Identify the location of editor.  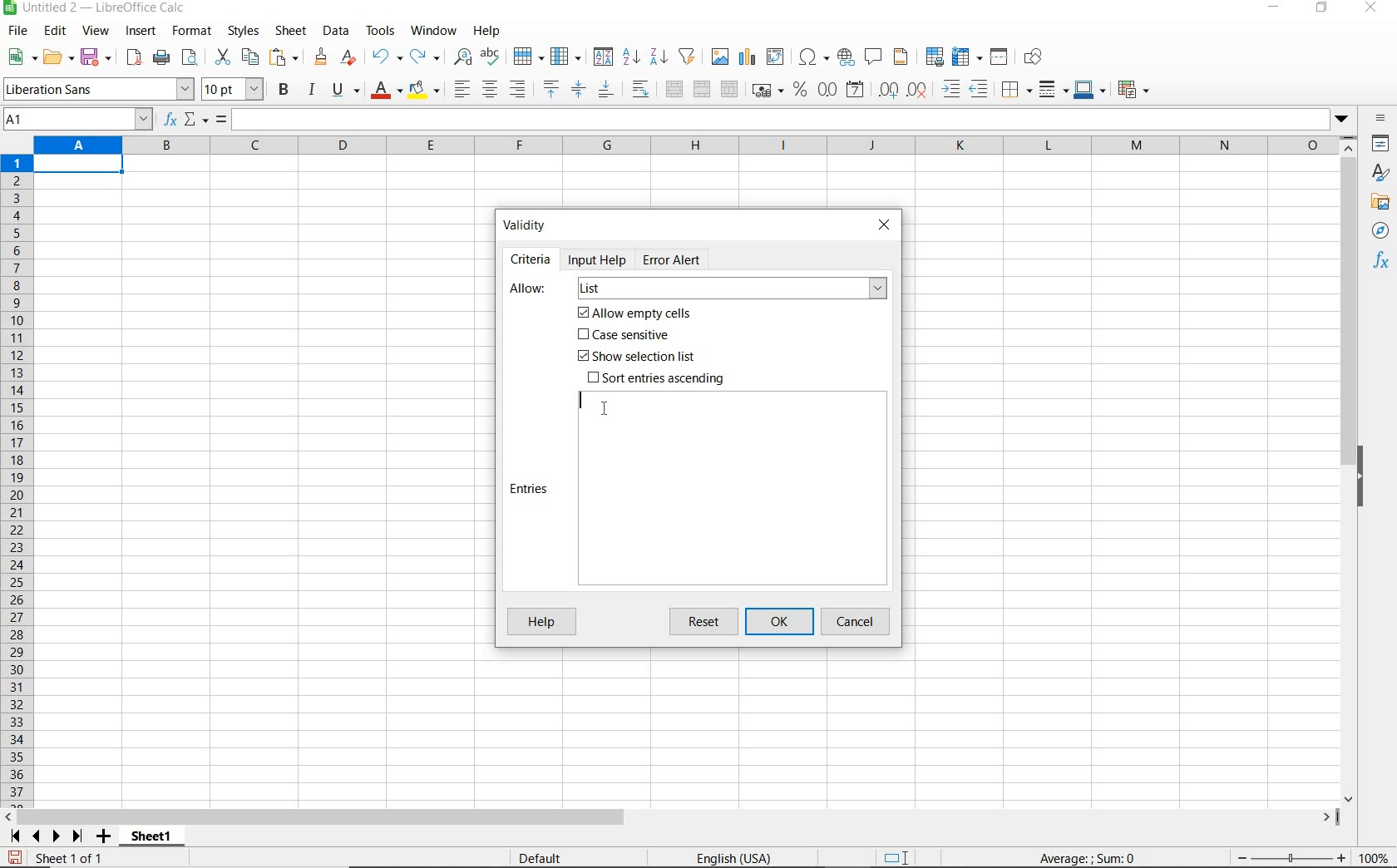
(579, 402).